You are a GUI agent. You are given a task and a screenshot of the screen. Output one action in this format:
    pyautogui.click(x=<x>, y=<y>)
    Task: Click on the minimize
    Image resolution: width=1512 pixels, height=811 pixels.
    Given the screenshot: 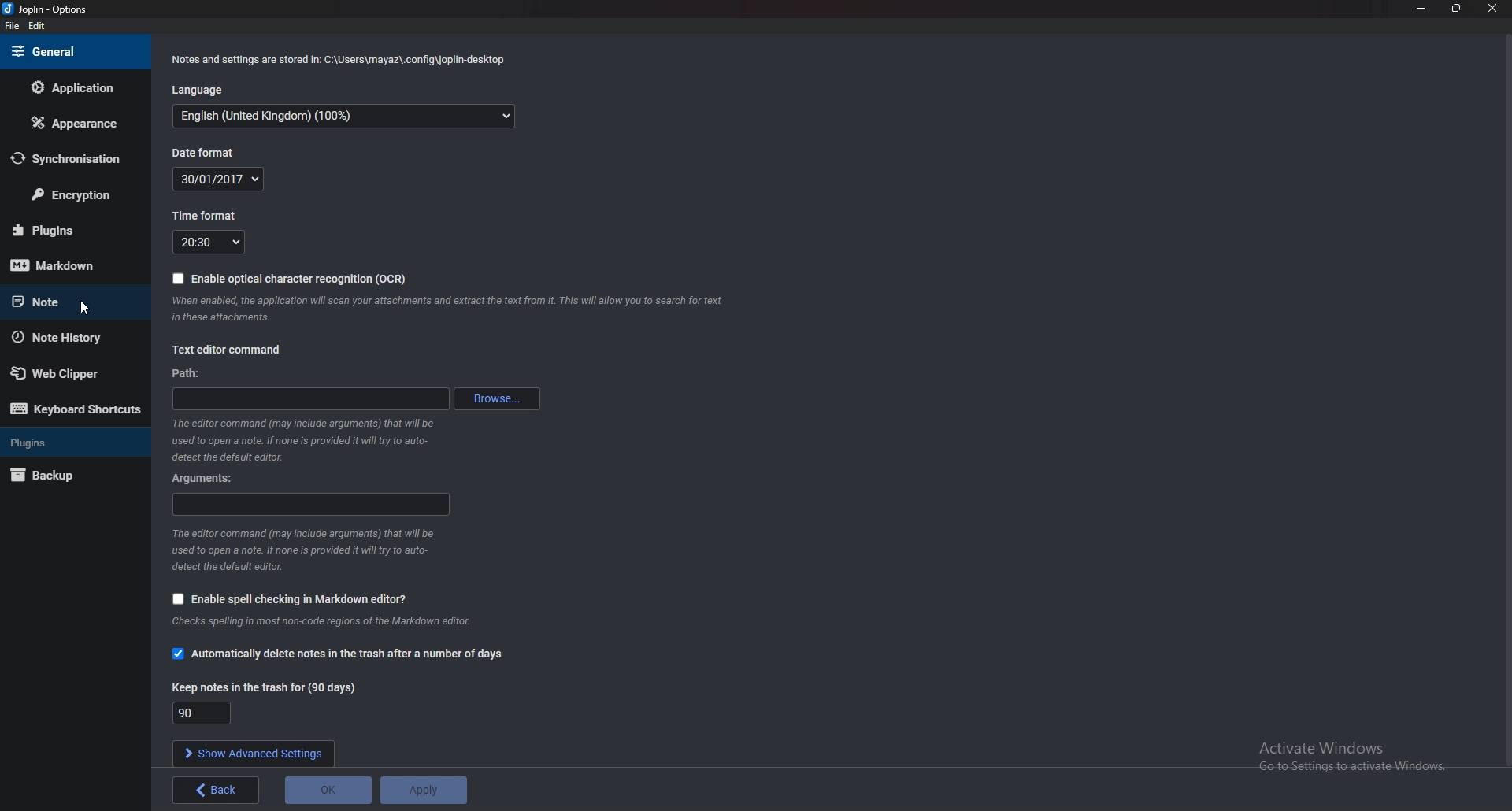 What is the action you would take?
    pyautogui.click(x=1422, y=8)
    